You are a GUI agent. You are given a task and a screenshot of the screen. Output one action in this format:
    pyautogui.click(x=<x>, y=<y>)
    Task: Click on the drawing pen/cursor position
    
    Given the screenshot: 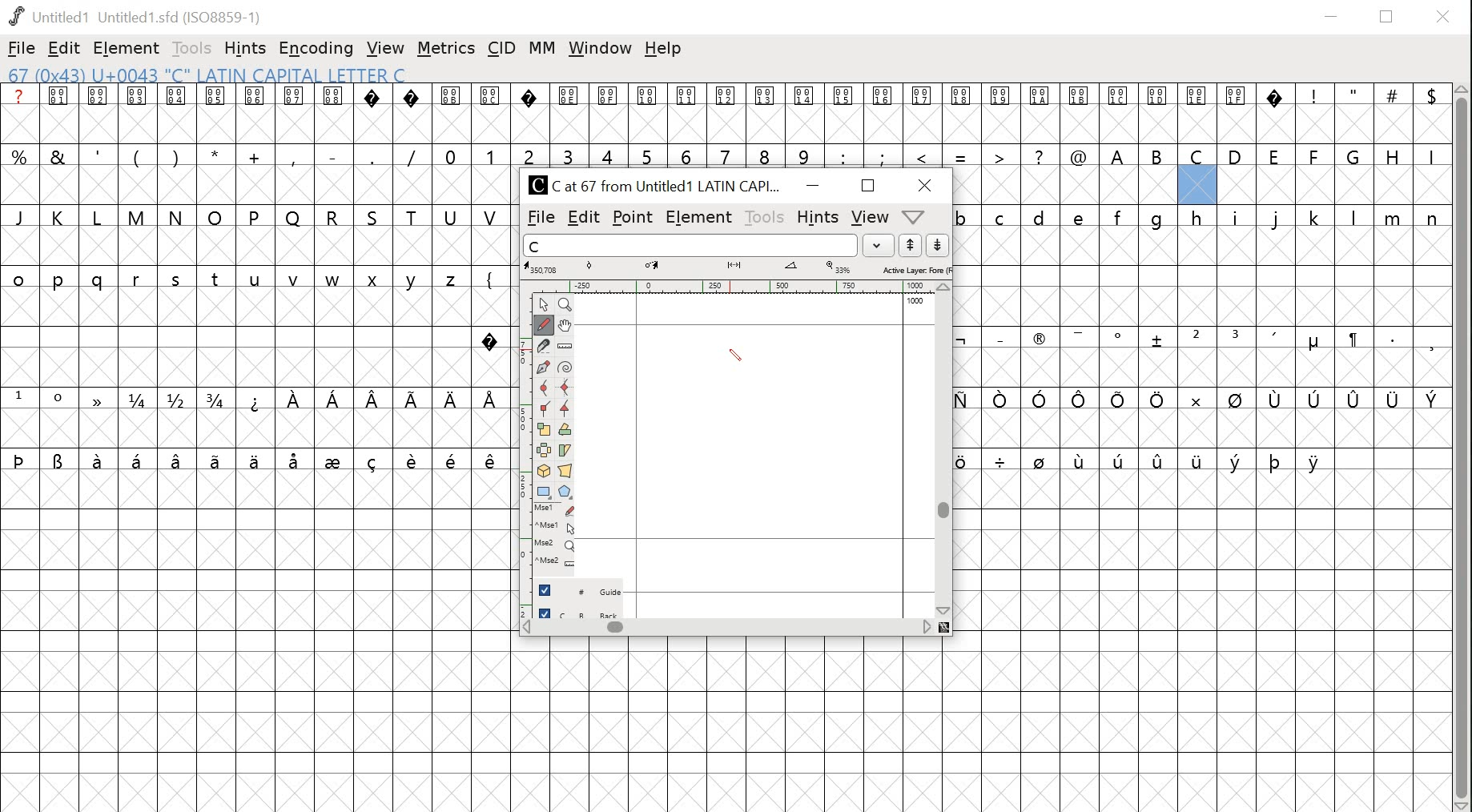 What is the action you would take?
    pyautogui.click(x=741, y=355)
    